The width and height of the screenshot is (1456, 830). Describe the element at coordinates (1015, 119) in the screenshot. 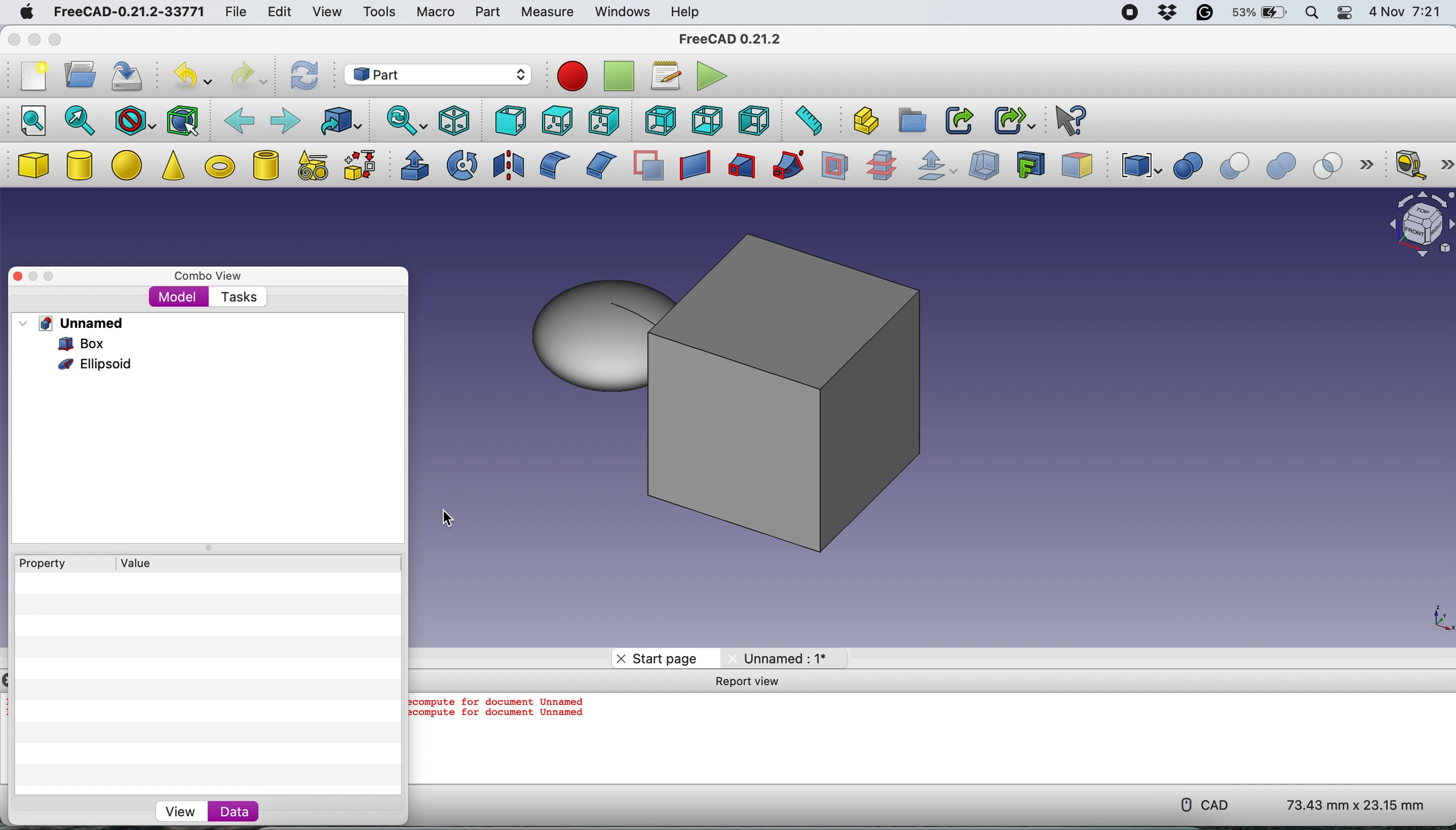

I see `make sub link` at that location.